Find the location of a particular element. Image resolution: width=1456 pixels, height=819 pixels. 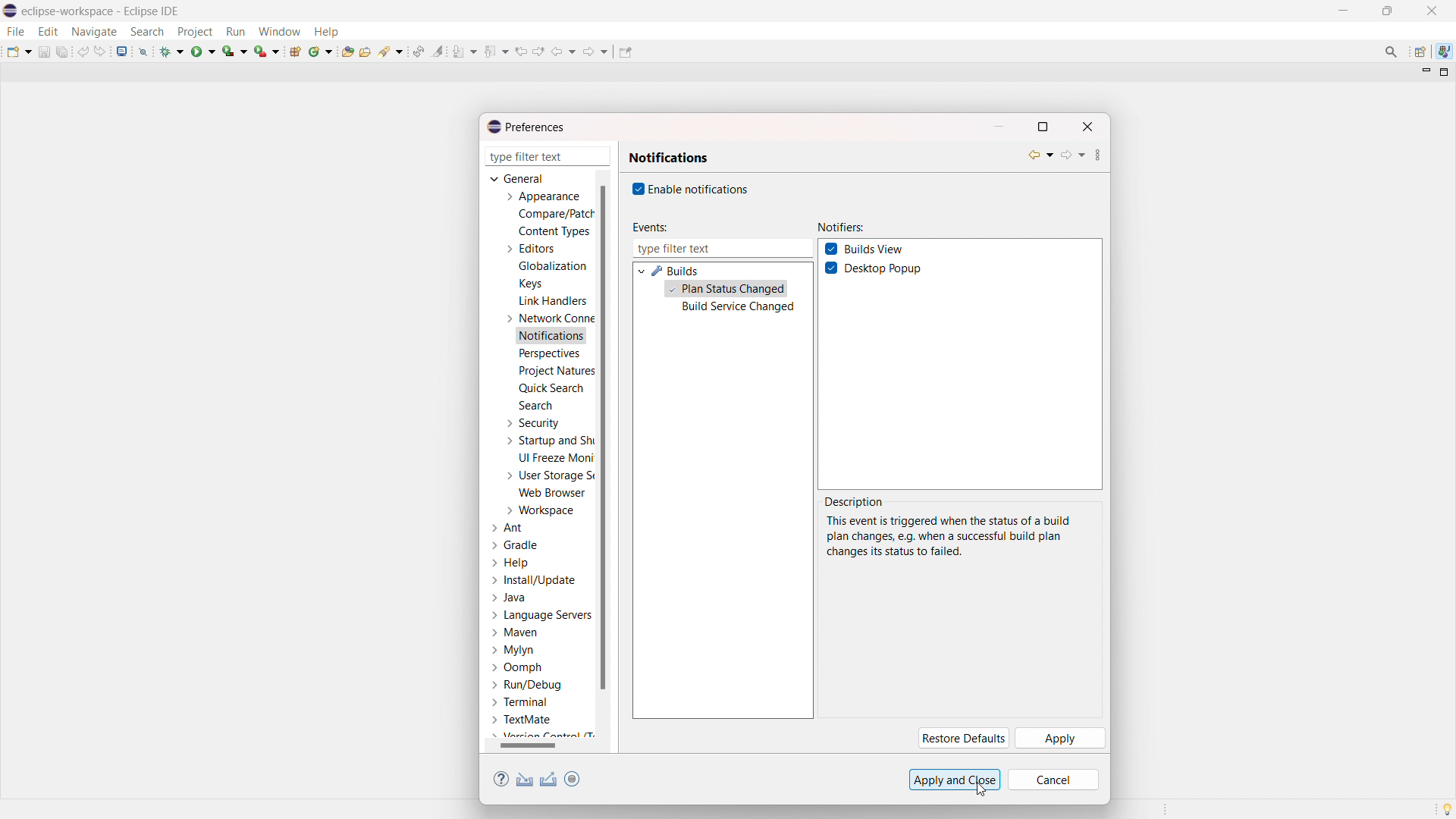

general is located at coordinates (519, 178).